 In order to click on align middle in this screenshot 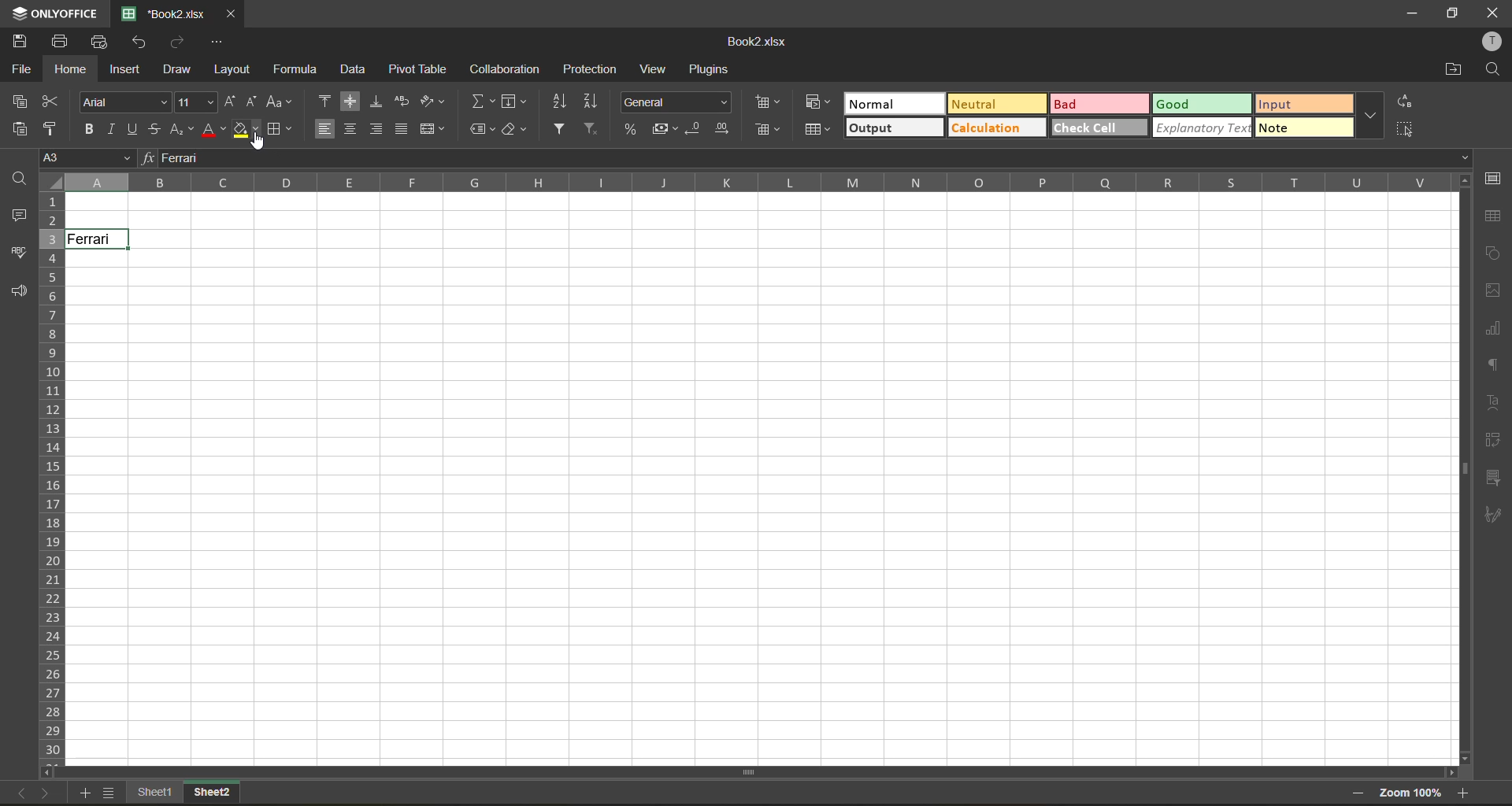, I will do `click(350, 100)`.